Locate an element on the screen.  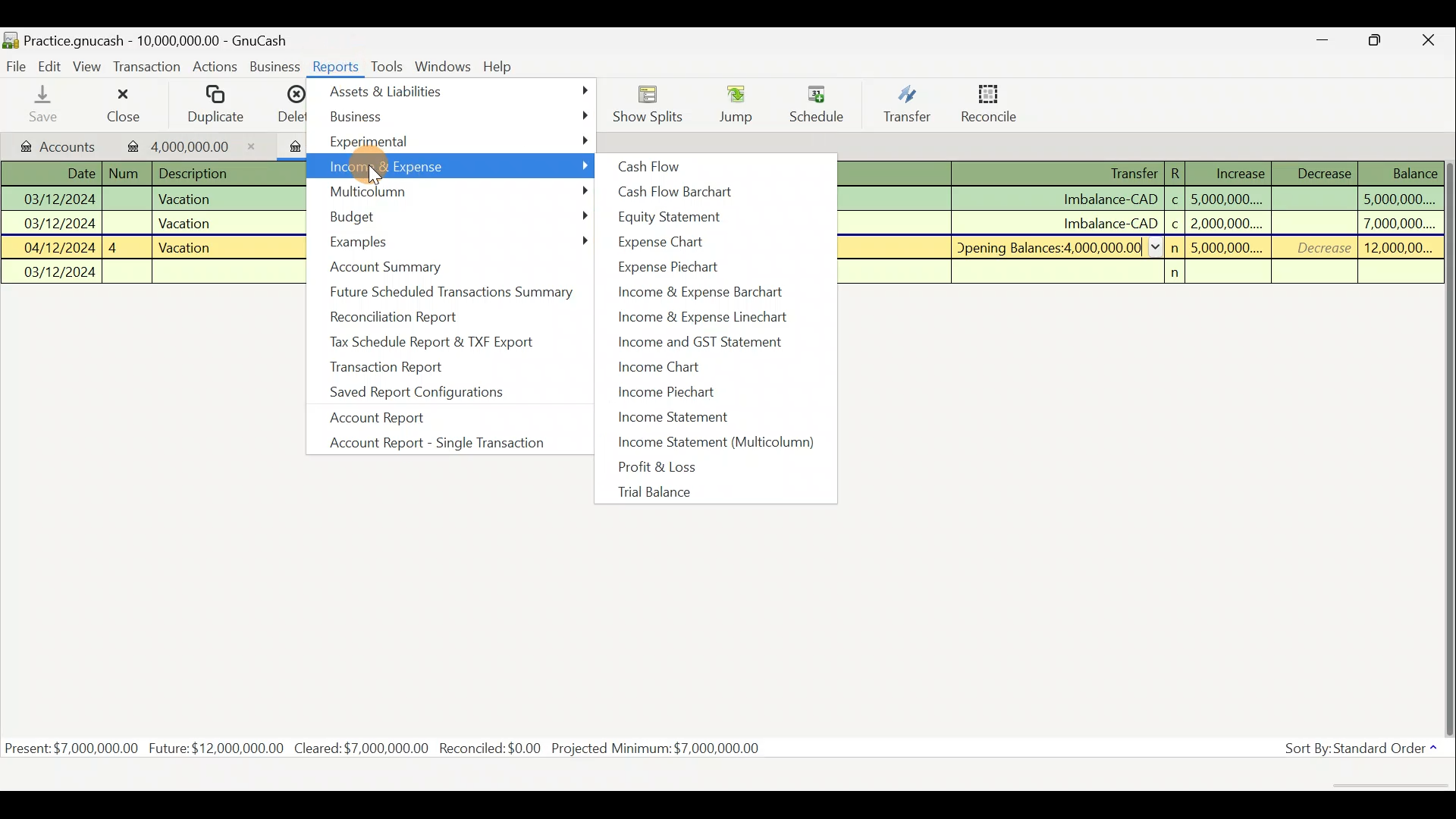
Profit & loss is located at coordinates (704, 467).